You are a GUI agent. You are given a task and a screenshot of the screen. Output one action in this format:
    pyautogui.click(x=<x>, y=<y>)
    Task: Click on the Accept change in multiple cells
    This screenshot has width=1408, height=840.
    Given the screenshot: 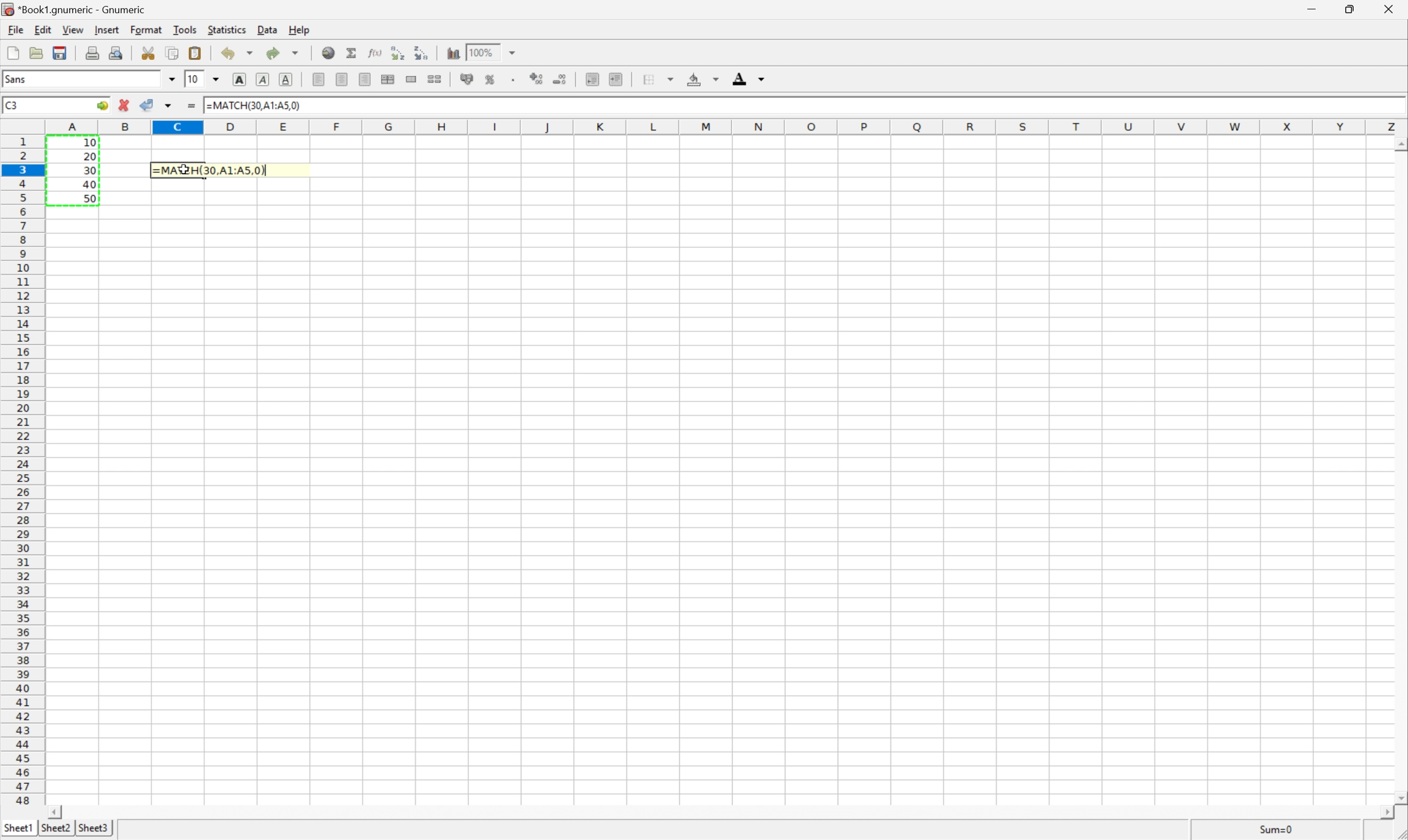 What is the action you would take?
    pyautogui.click(x=168, y=106)
    